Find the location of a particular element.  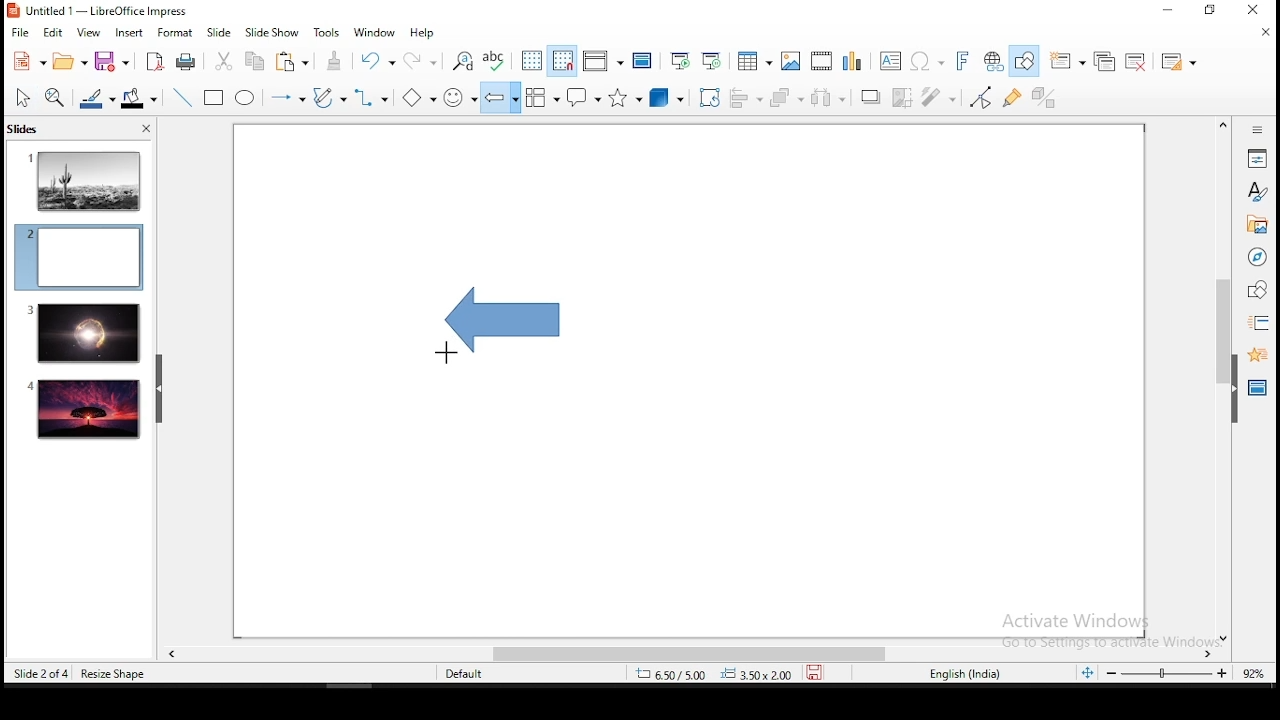

toggle extrusiuon is located at coordinates (1046, 97).